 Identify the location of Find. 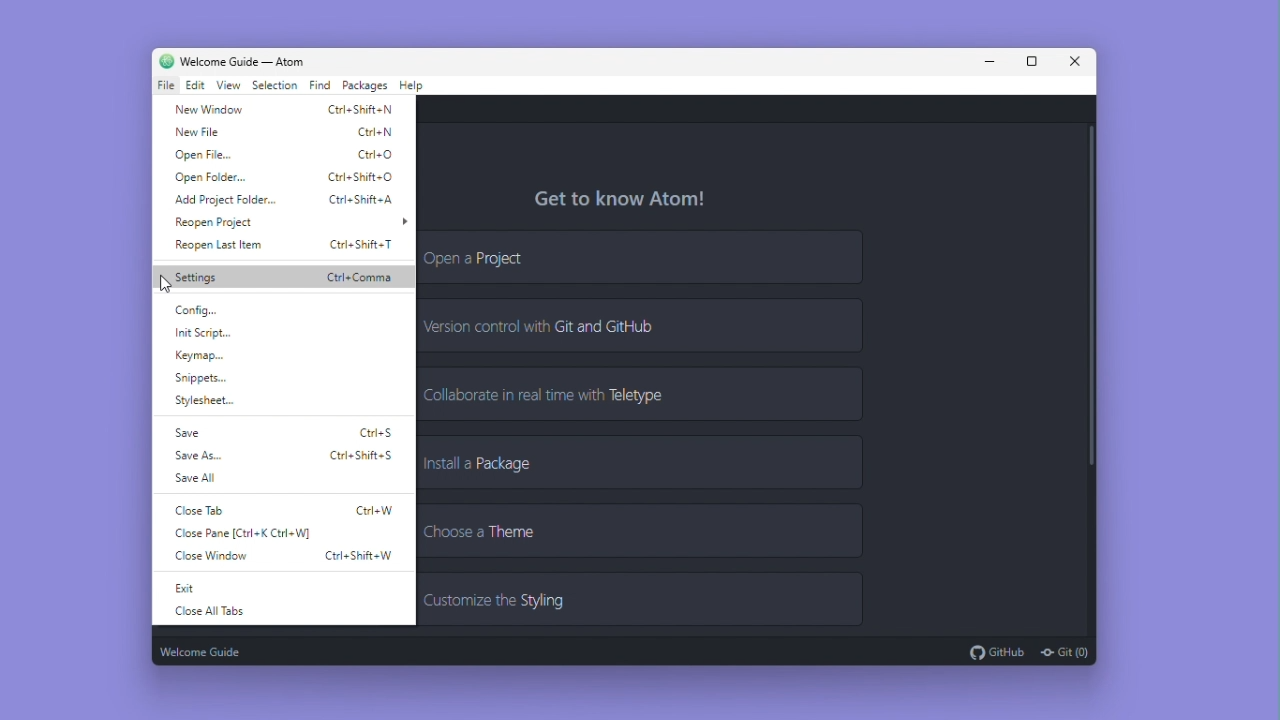
(321, 84).